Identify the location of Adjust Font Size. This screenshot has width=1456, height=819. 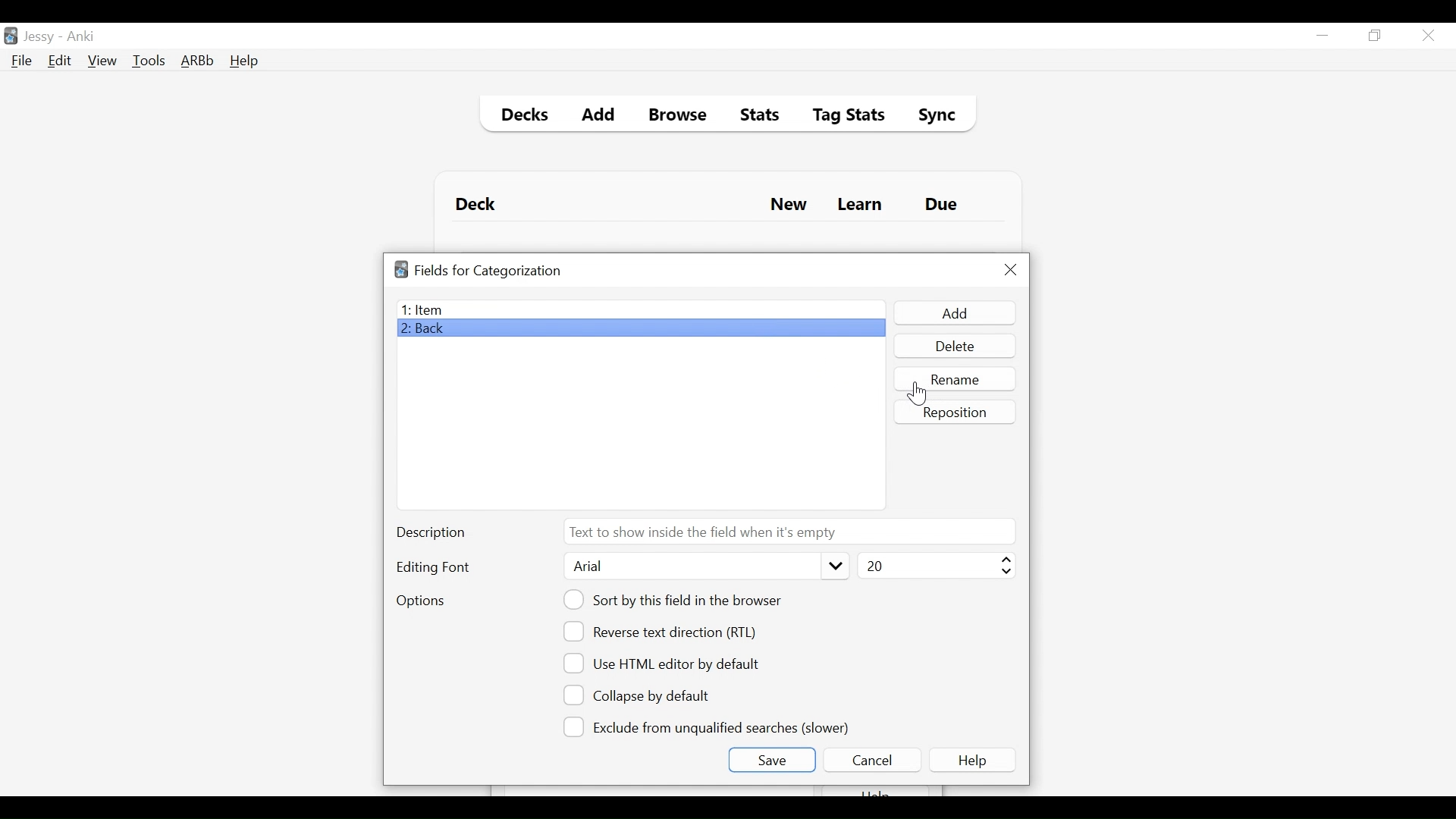
(934, 566).